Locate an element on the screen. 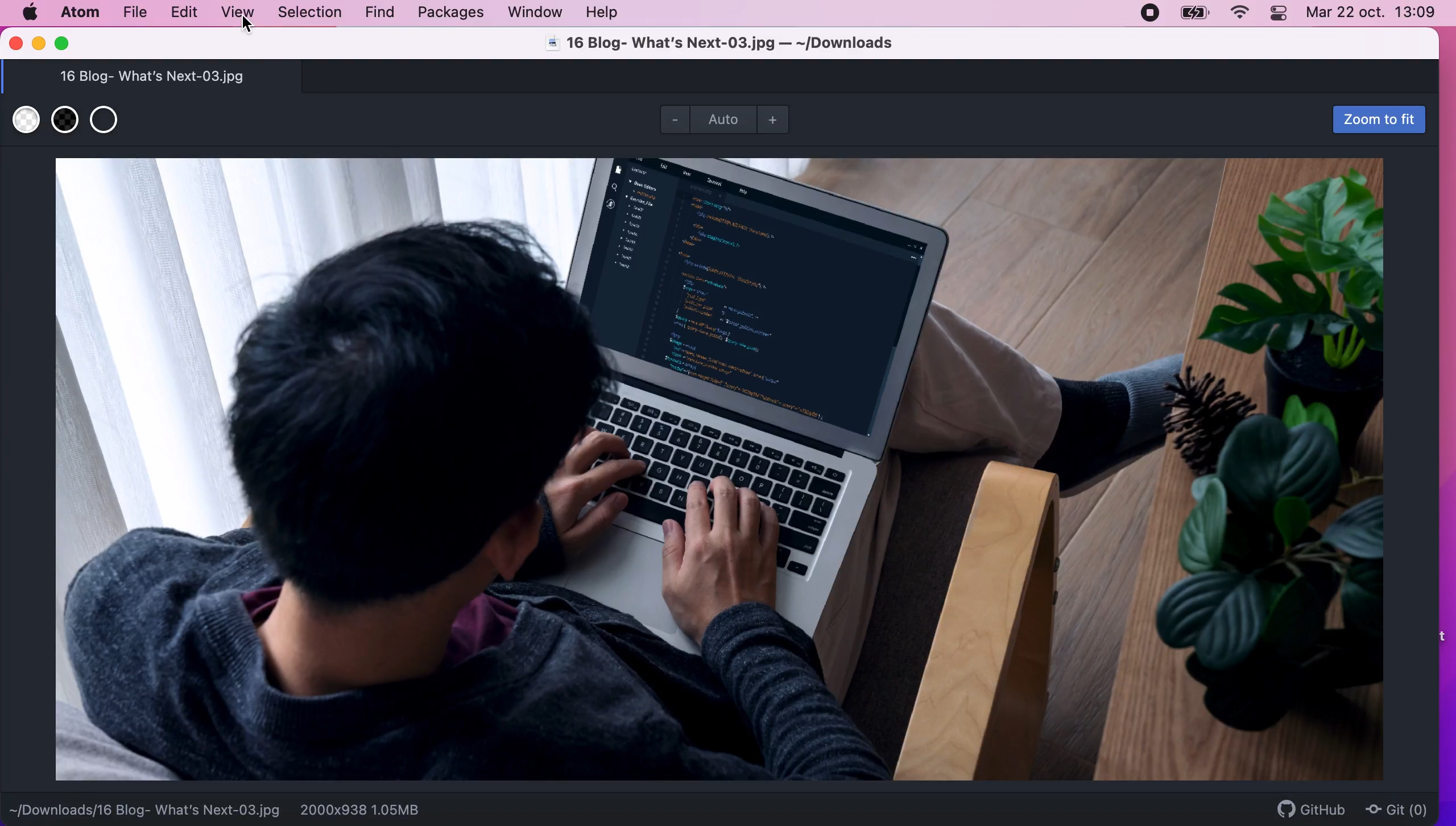  use black transparent background is located at coordinates (65, 120).